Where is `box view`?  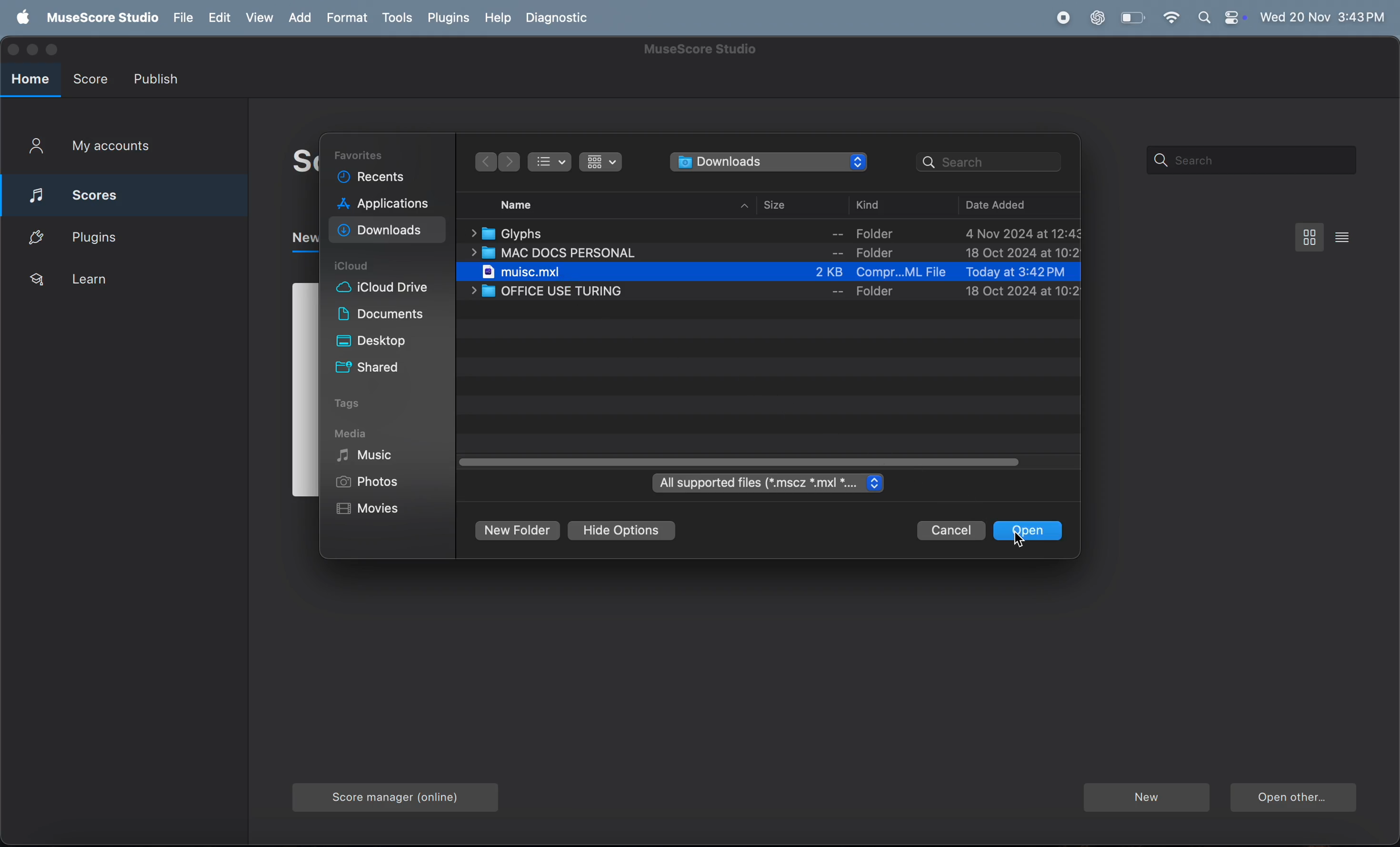 box view is located at coordinates (1307, 237).